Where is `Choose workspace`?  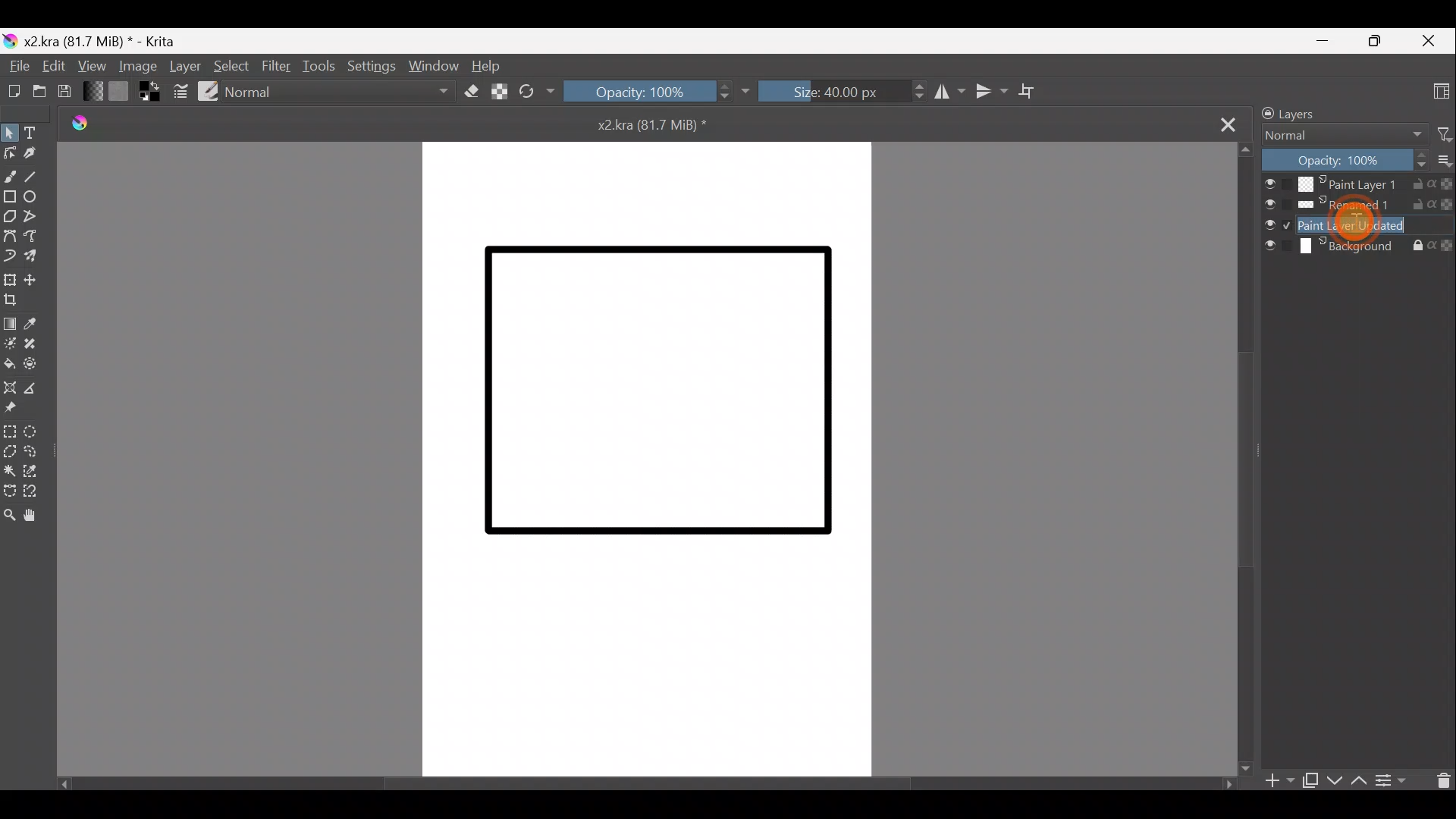 Choose workspace is located at coordinates (1429, 90).